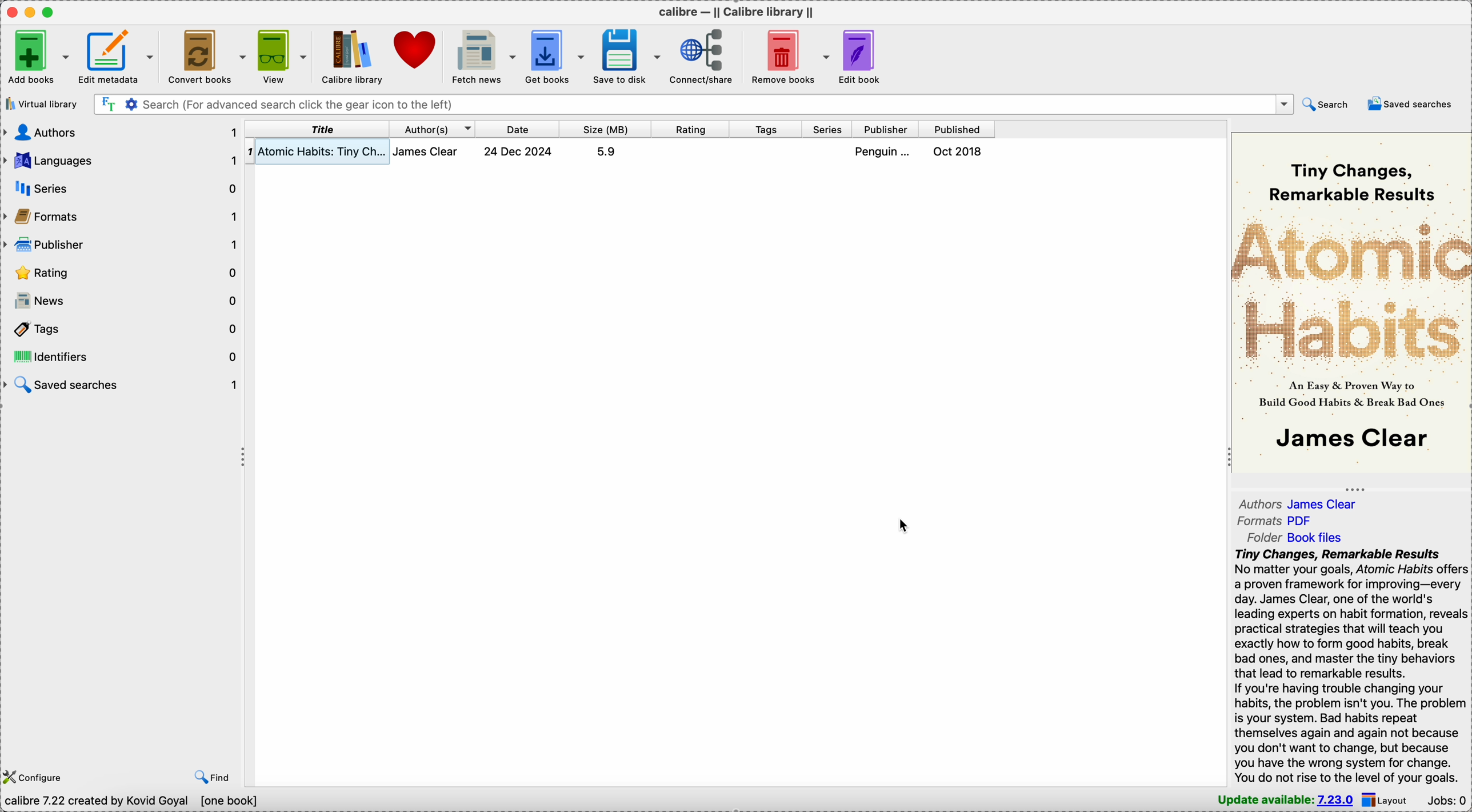 The width and height of the screenshot is (1472, 812). What do you see at coordinates (118, 54) in the screenshot?
I see `edit metadata` at bounding box center [118, 54].